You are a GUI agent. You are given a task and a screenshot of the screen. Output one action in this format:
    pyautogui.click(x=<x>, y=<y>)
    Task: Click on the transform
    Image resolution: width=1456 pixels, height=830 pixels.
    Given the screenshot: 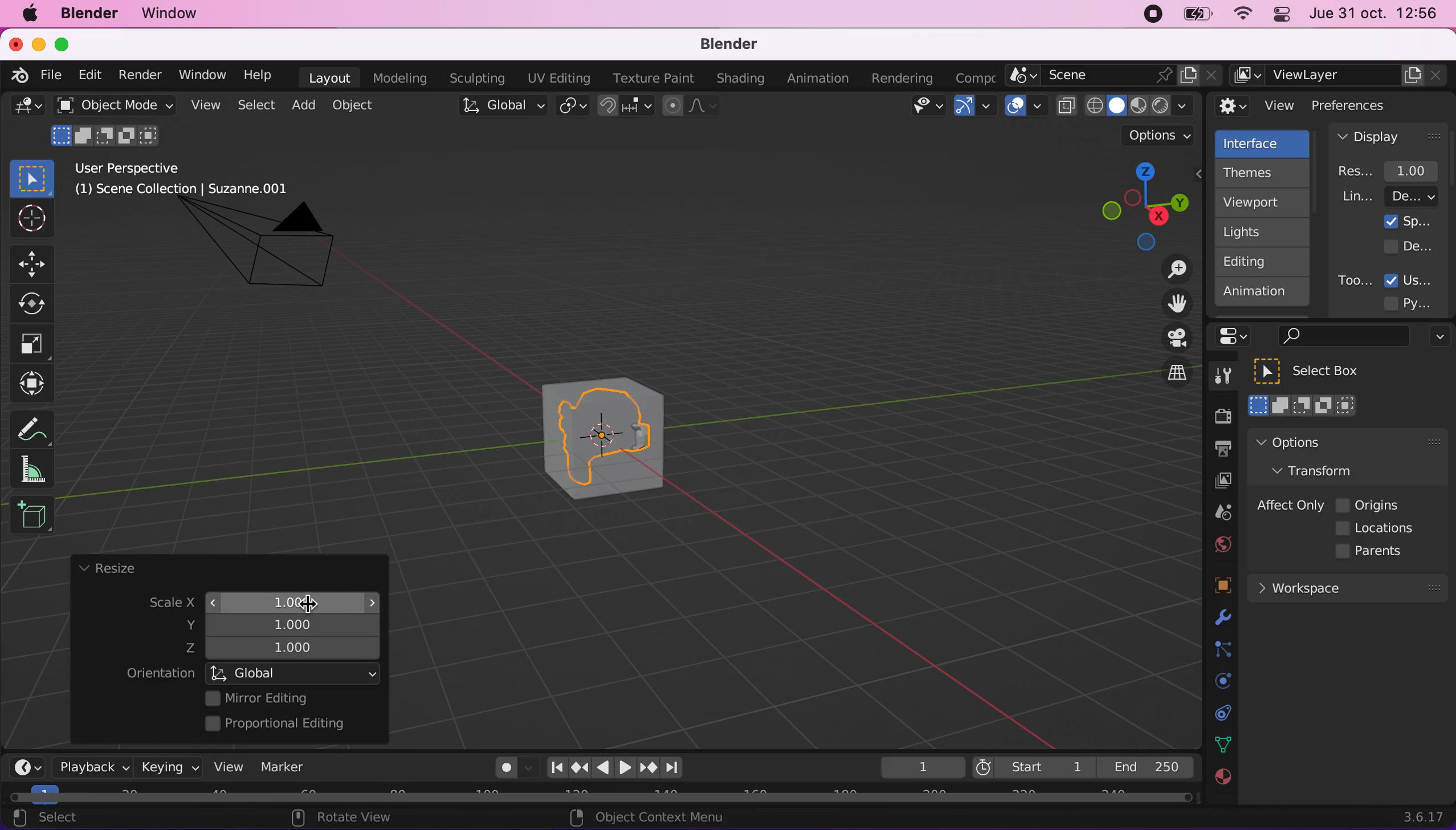 What is the action you would take?
    pyautogui.click(x=1324, y=470)
    